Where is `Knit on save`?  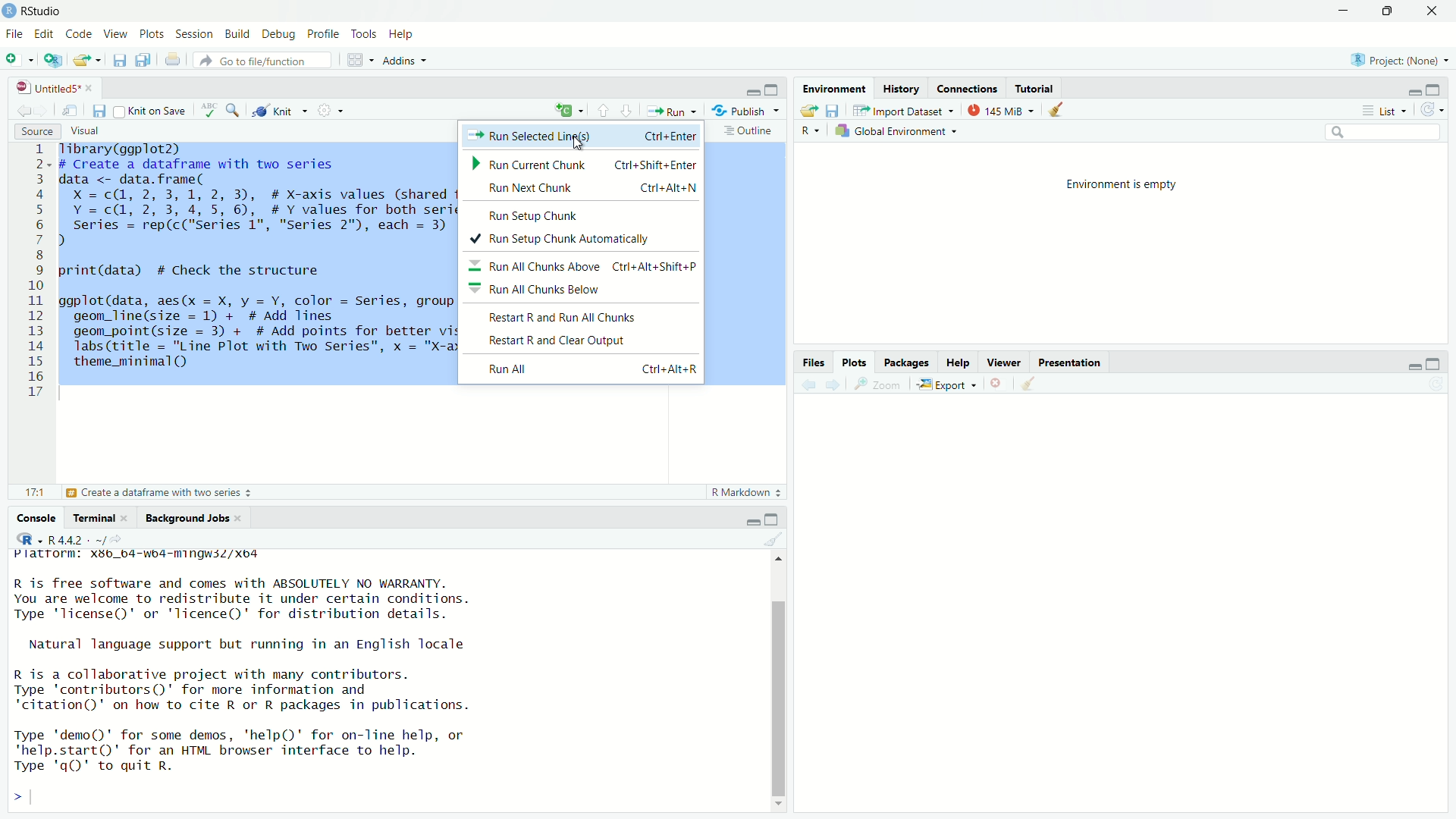 Knit on save is located at coordinates (152, 112).